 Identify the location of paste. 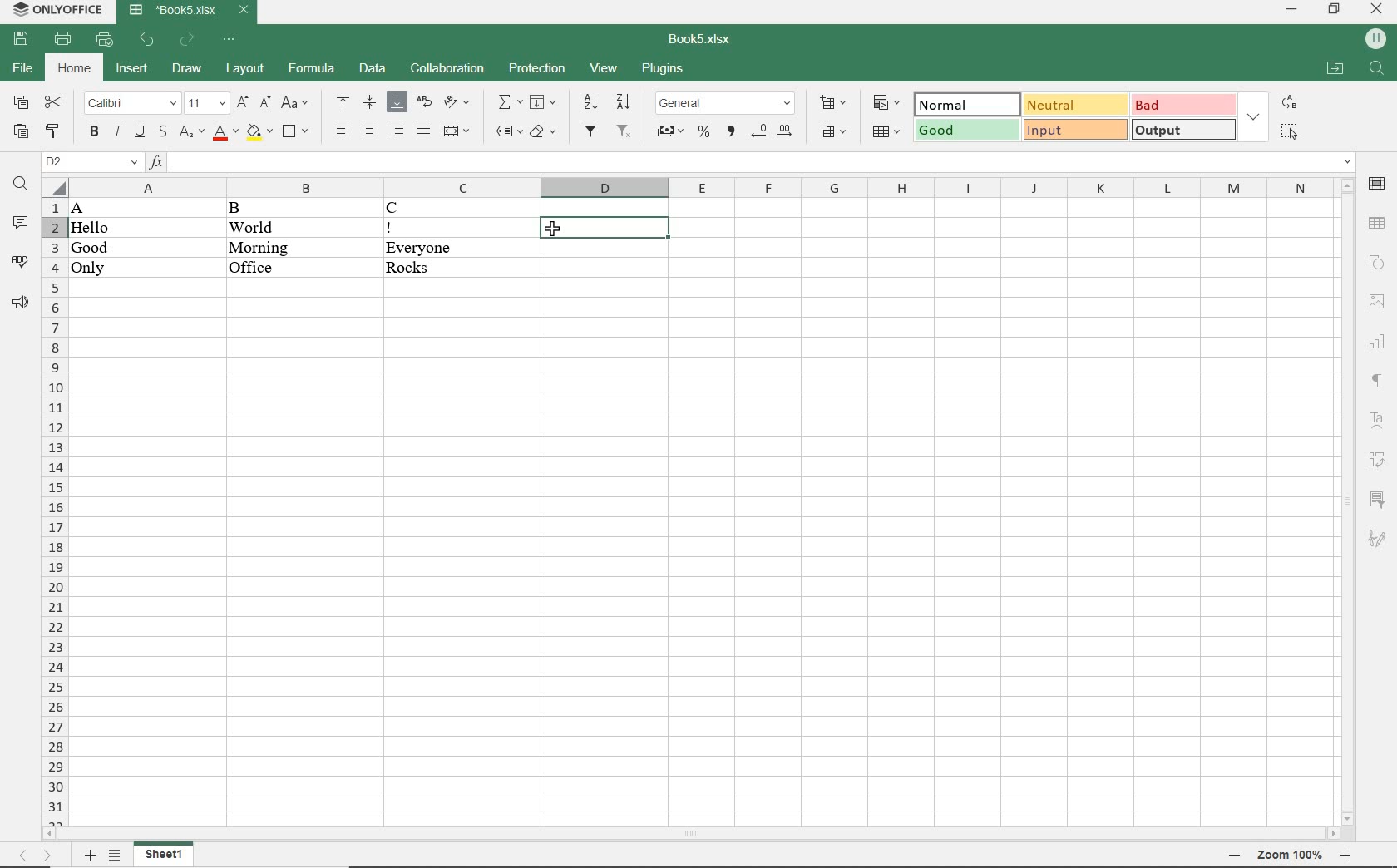
(20, 133).